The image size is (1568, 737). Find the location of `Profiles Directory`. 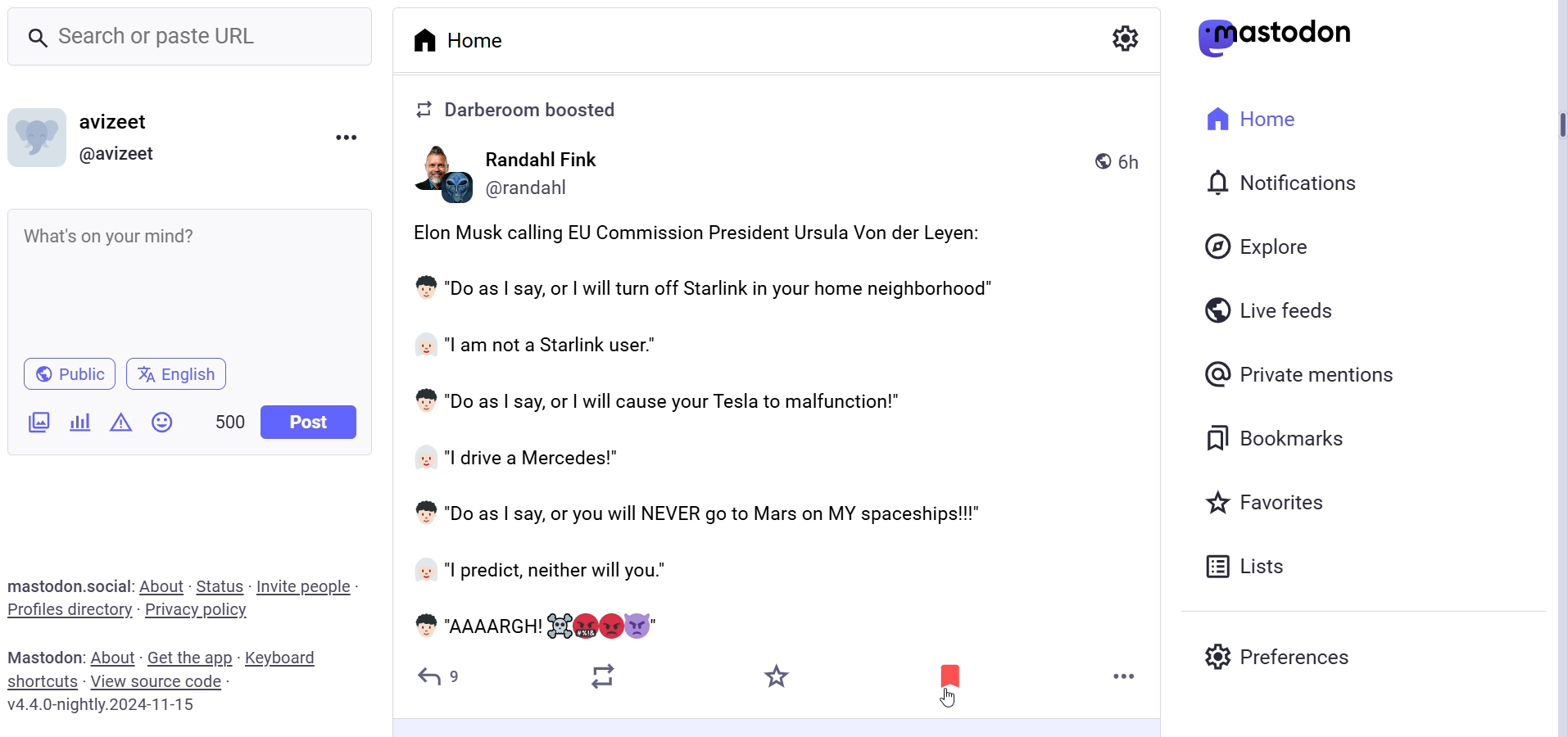

Profiles Directory is located at coordinates (70, 612).